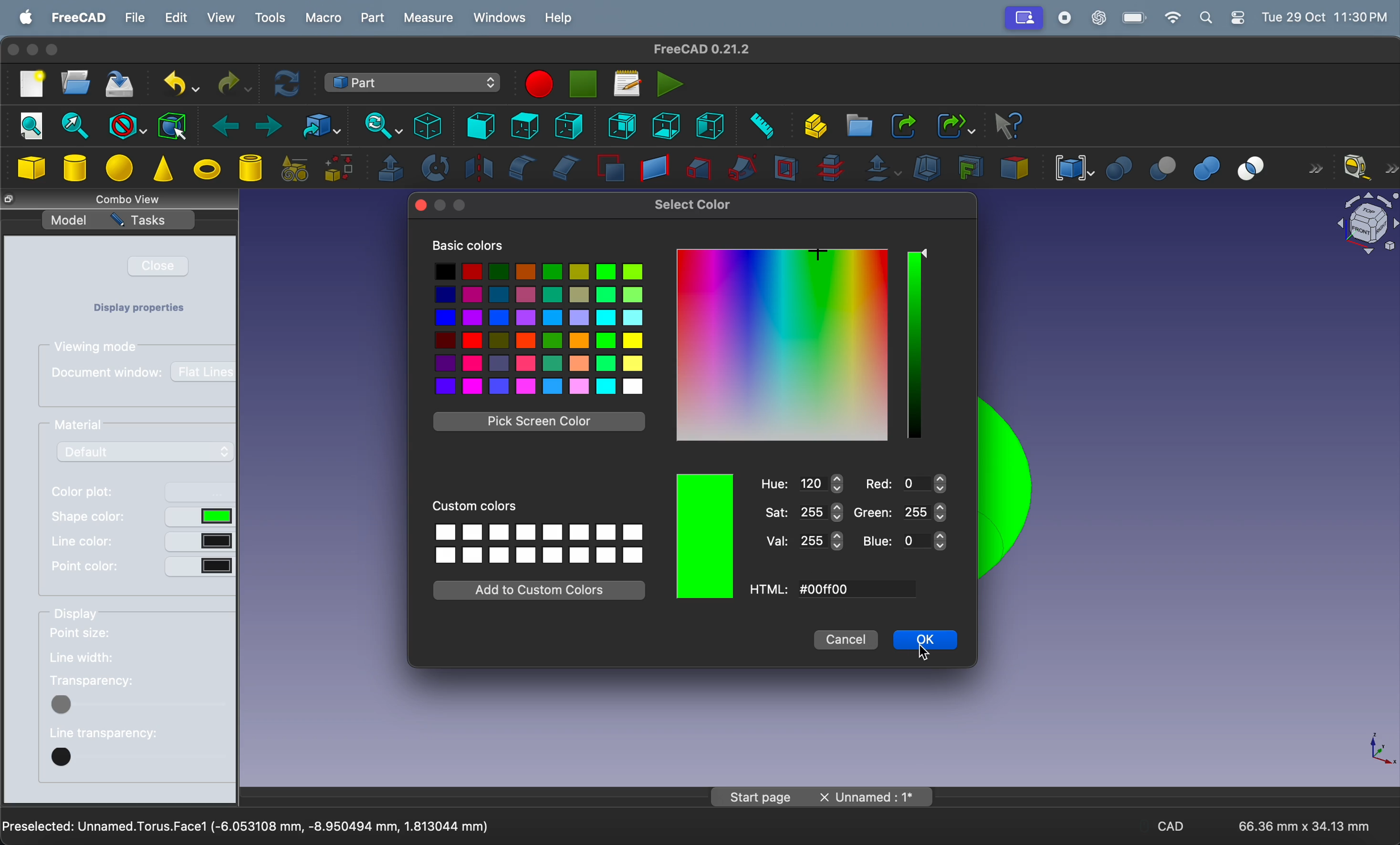 This screenshot has width=1400, height=845. I want to click on Unnamed: 1, so click(872, 797).